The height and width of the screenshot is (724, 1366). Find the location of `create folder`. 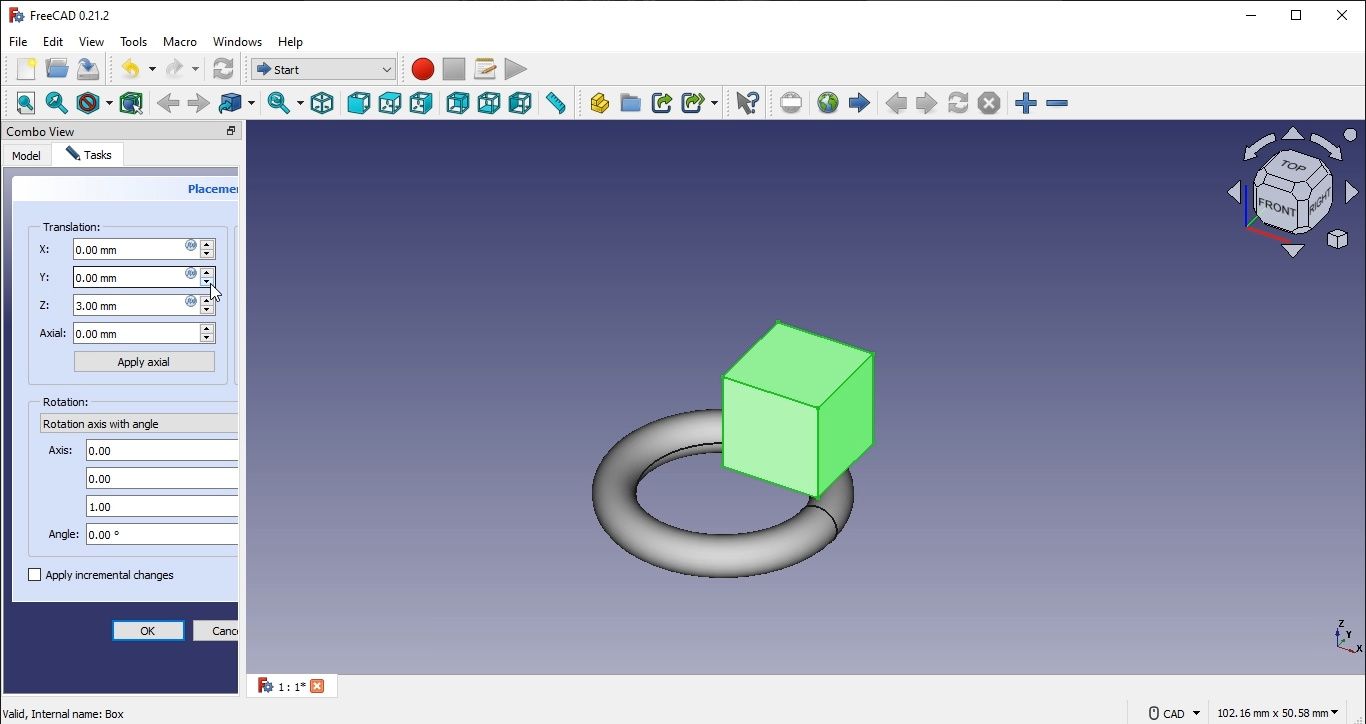

create folder is located at coordinates (631, 104).